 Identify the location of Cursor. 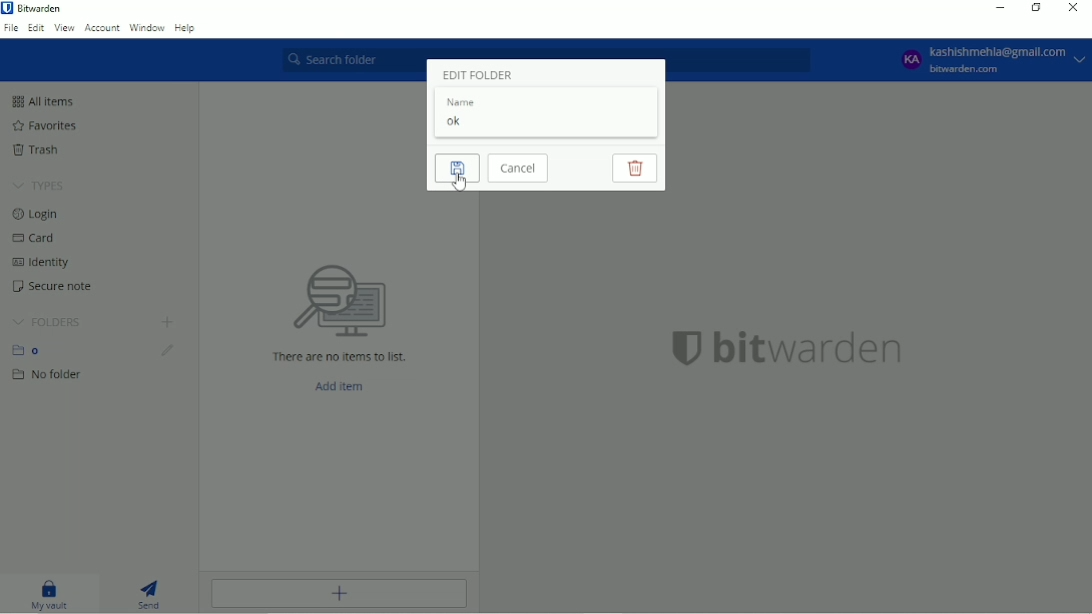
(459, 183).